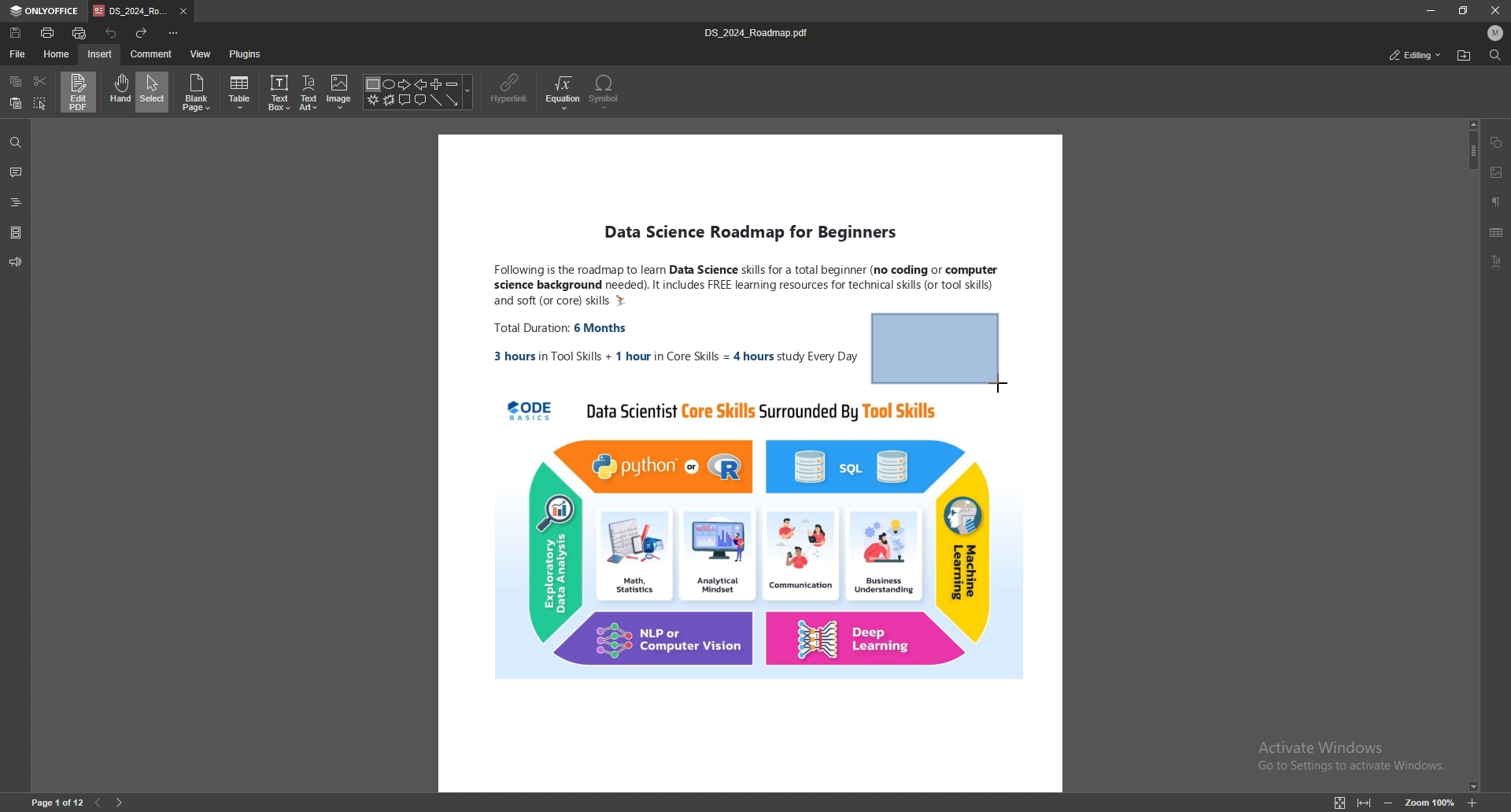 Image resolution: width=1511 pixels, height=812 pixels. What do you see at coordinates (626, 464) in the screenshot?
I see `pdf` at bounding box center [626, 464].